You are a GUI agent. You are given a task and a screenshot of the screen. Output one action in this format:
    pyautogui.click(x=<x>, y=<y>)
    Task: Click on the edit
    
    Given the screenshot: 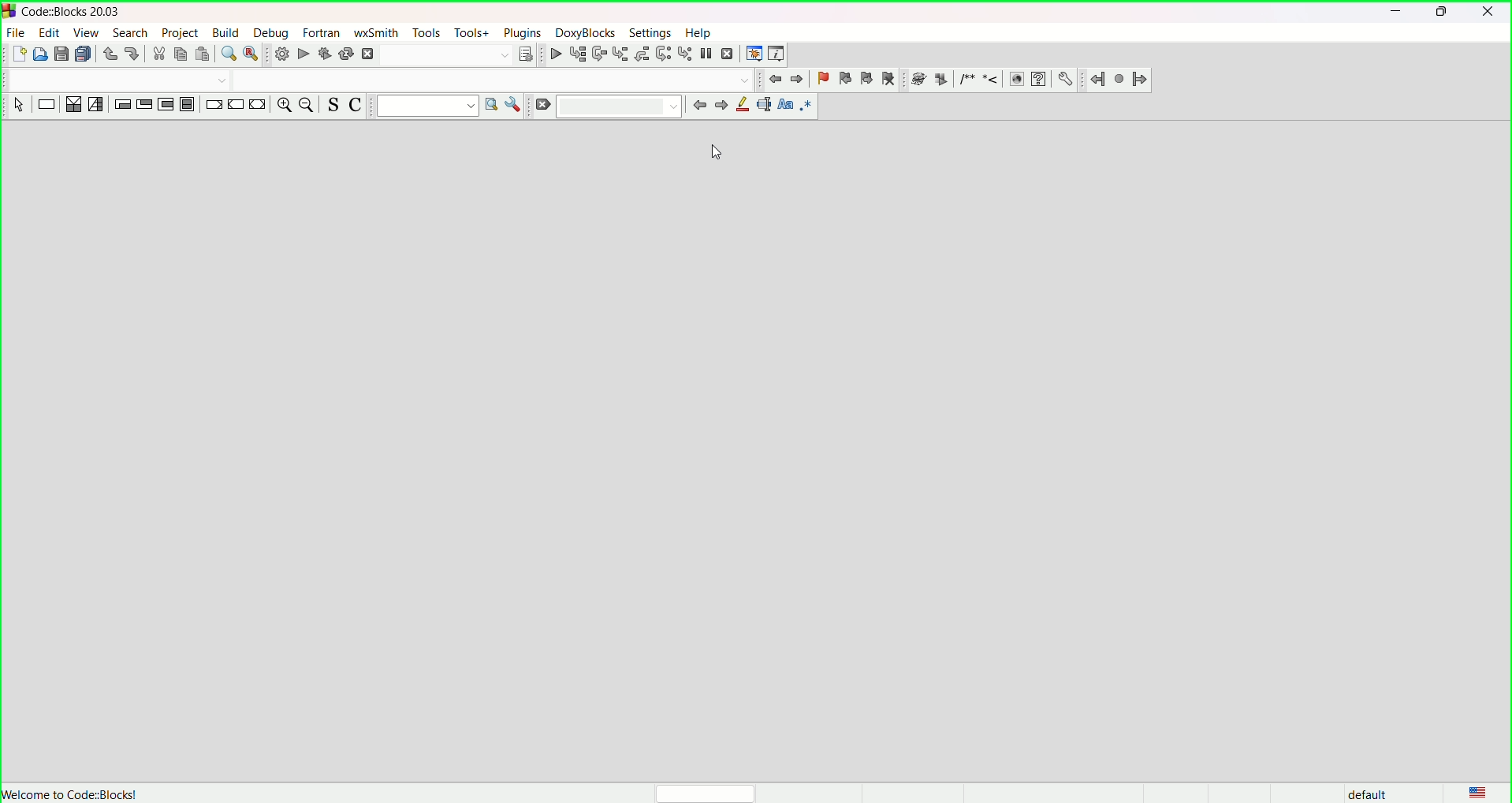 What is the action you would take?
    pyautogui.click(x=47, y=32)
    